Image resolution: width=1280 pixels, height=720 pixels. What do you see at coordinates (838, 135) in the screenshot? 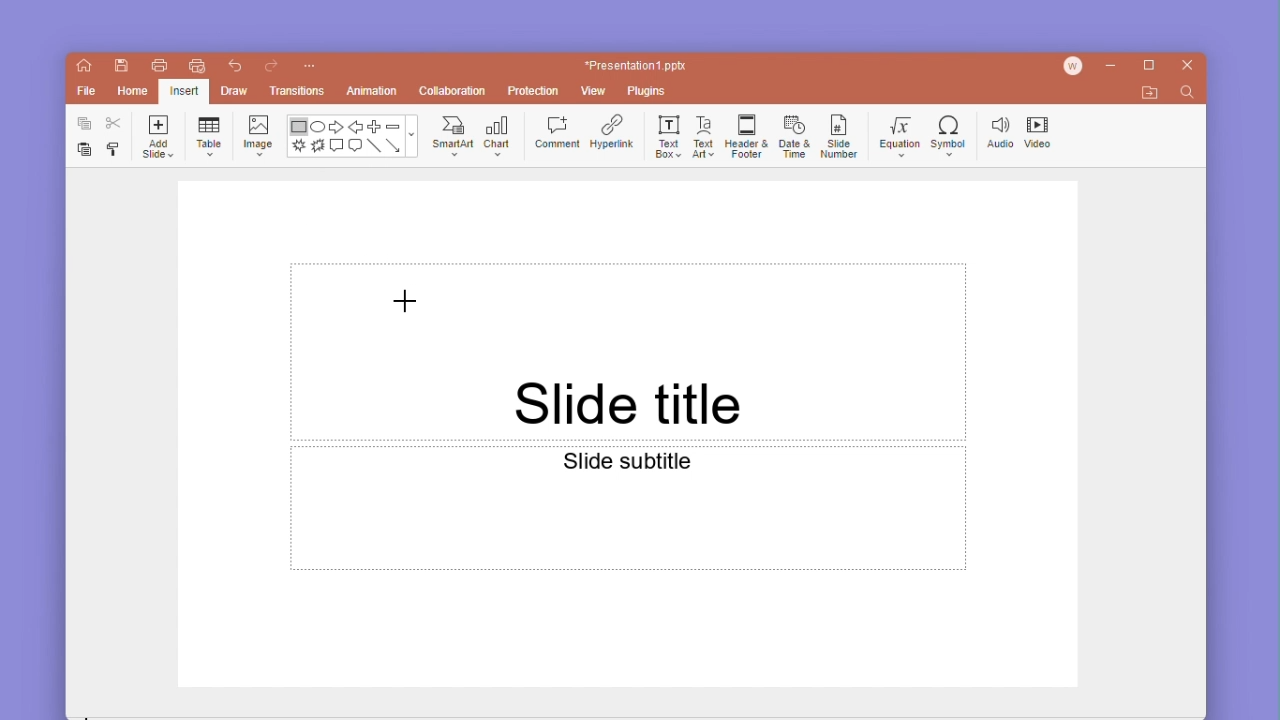
I see `slide number` at bounding box center [838, 135].